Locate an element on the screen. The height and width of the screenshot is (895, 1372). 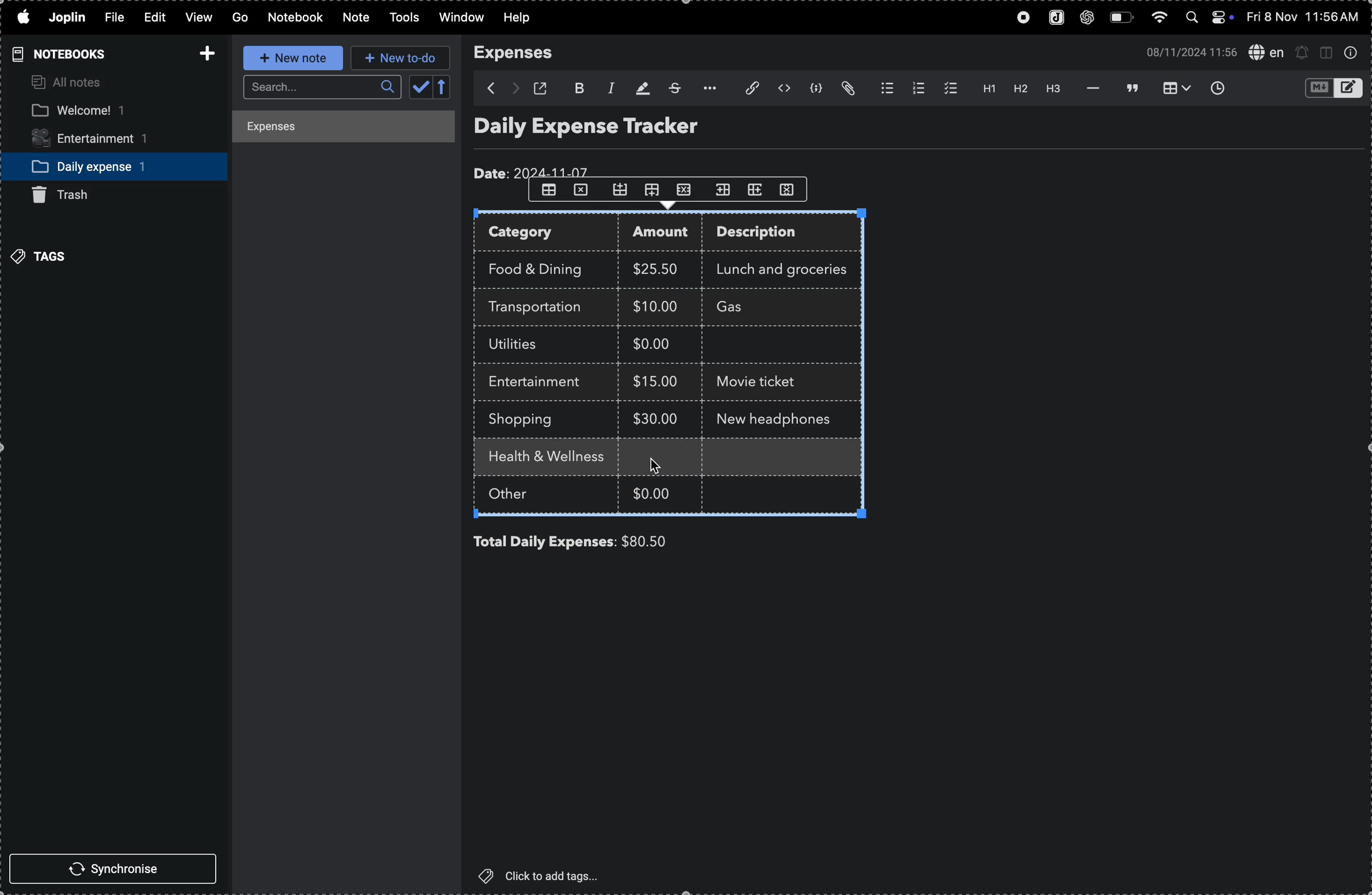
close row is located at coordinates (687, 189).